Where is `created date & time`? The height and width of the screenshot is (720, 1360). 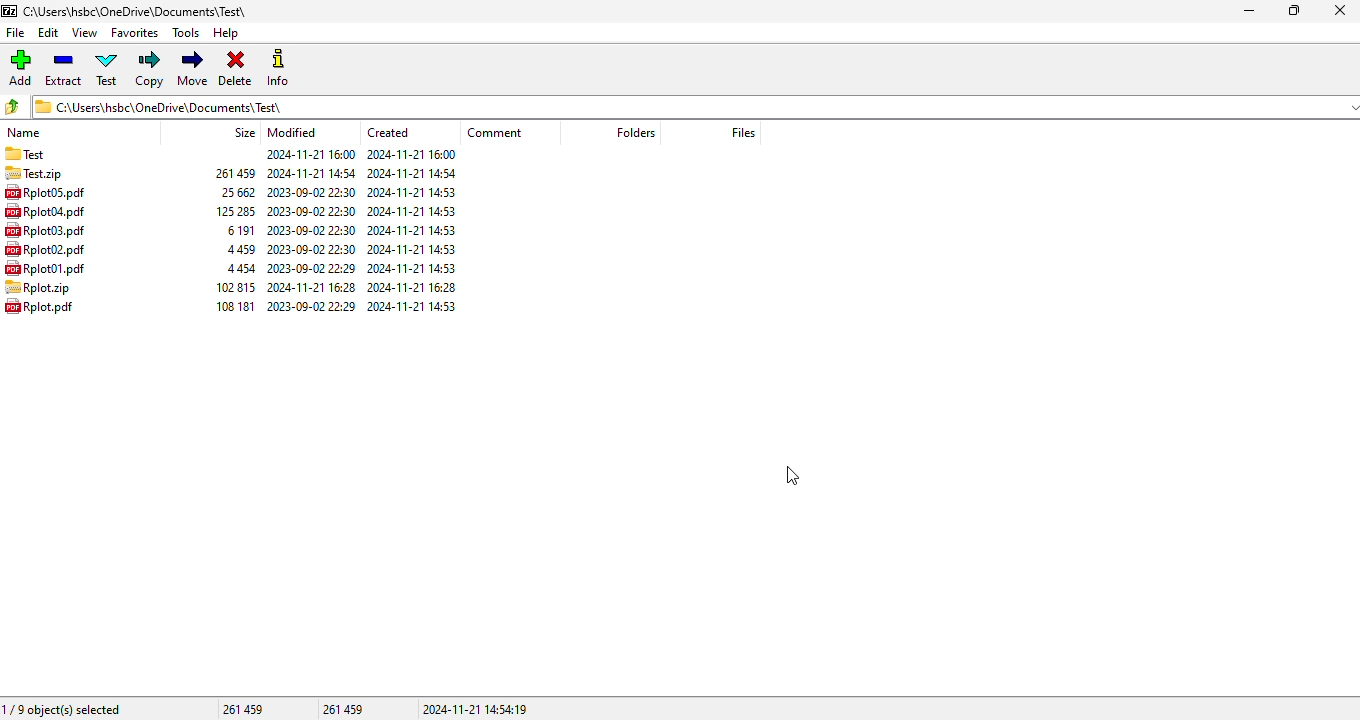 created date & time is located at coordinates (412, 250).